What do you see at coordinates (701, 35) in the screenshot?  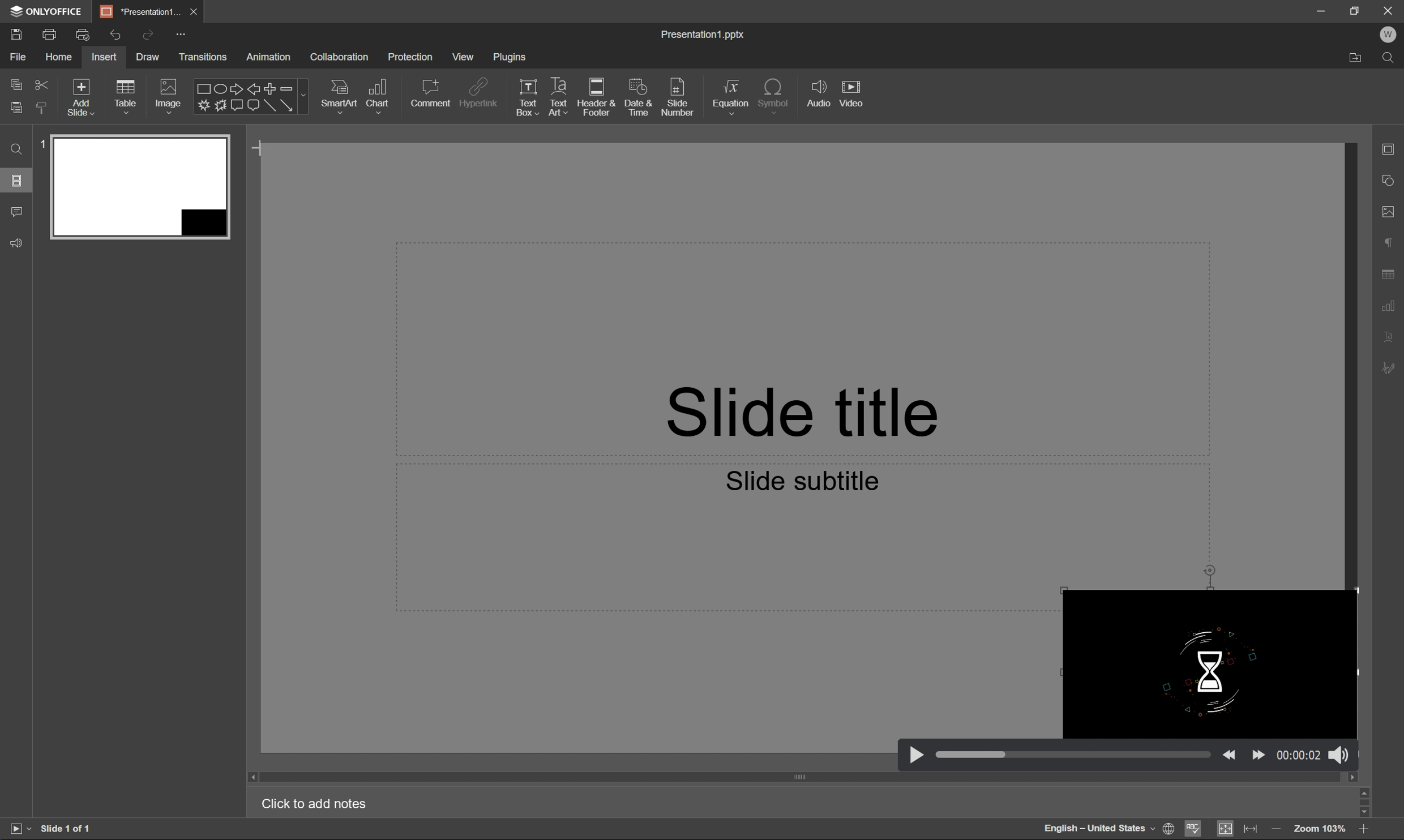 I see `presentation1.pptx` at bounding box center [701, 35].